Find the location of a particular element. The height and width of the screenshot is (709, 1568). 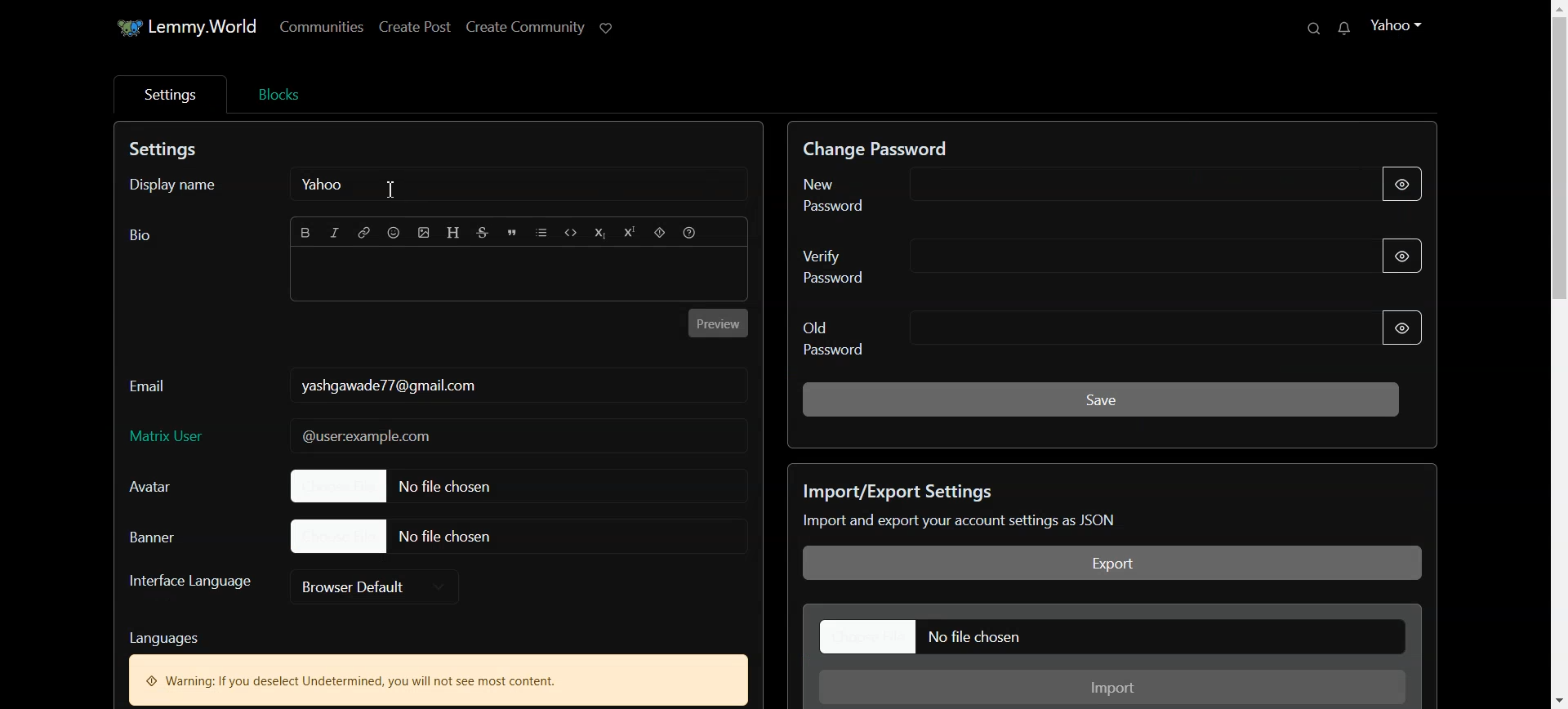

Text is located at coordinates (387, 385).